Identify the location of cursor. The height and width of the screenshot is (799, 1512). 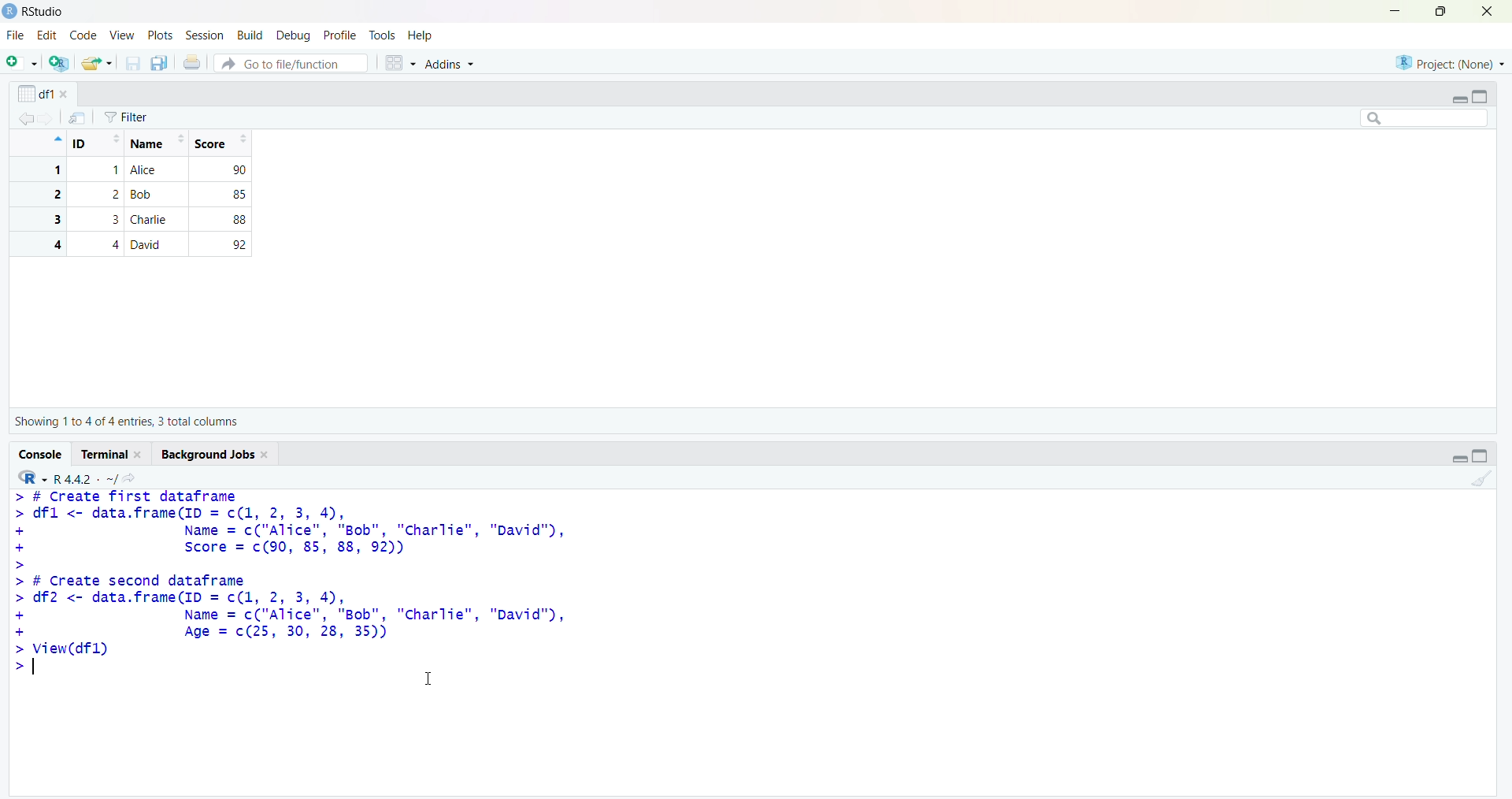
(429, 678).